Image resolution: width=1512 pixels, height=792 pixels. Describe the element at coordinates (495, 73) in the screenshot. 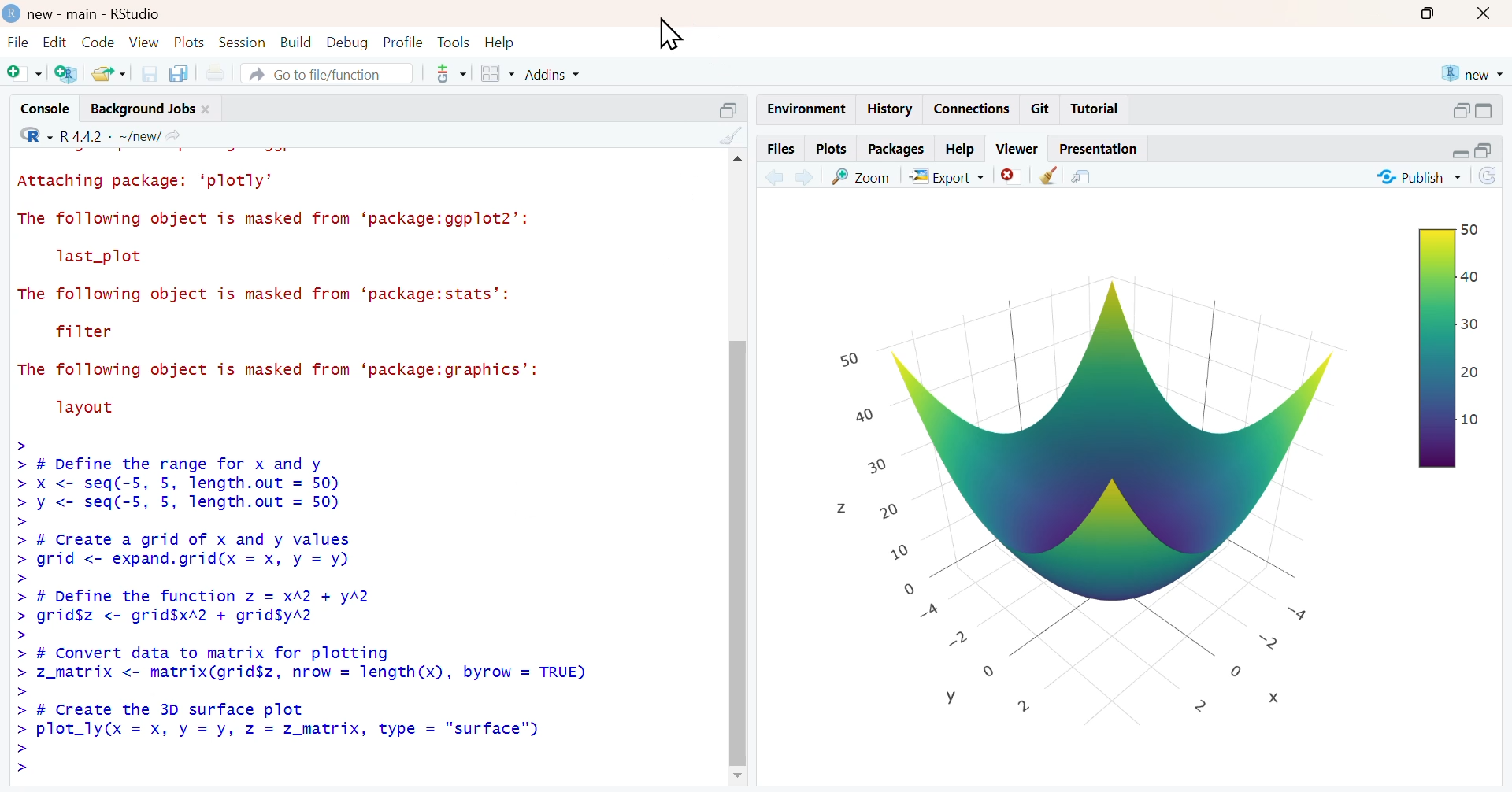

I see `workspace panes` at that location.